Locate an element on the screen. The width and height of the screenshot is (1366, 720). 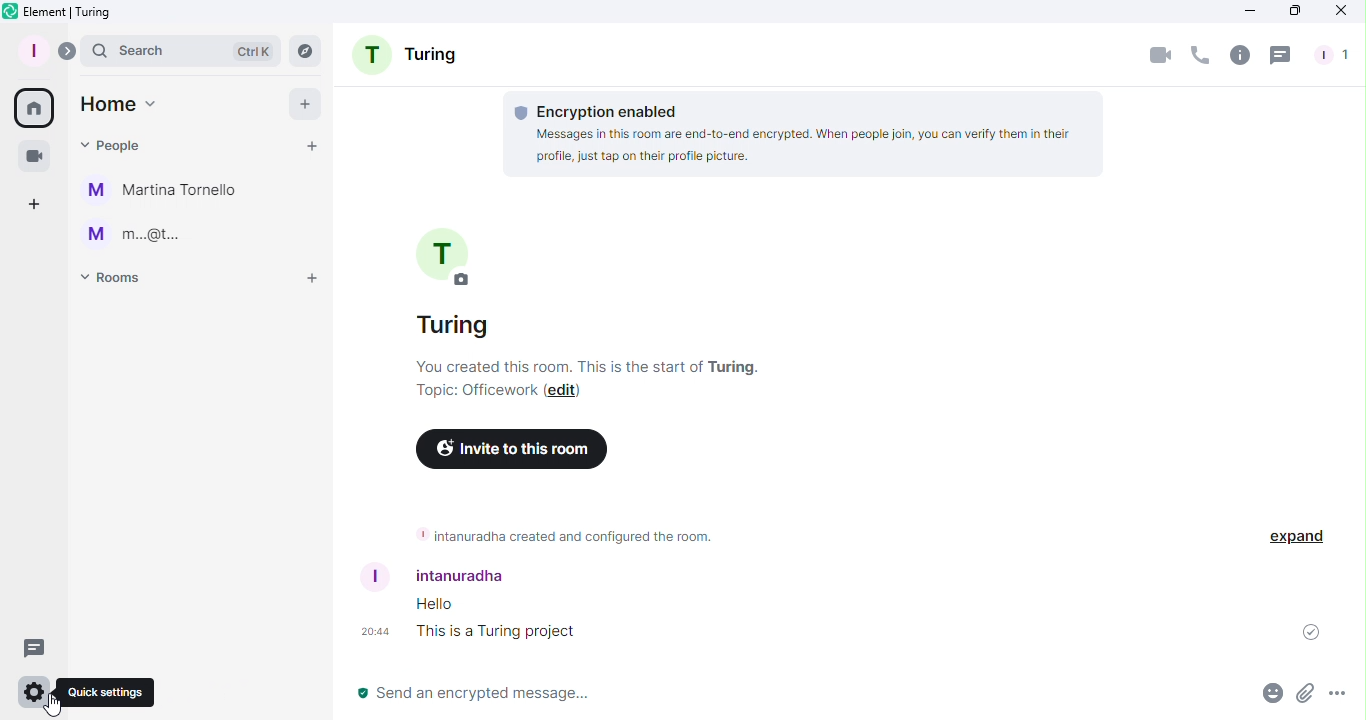
Username is located at coordinates (455, 574).